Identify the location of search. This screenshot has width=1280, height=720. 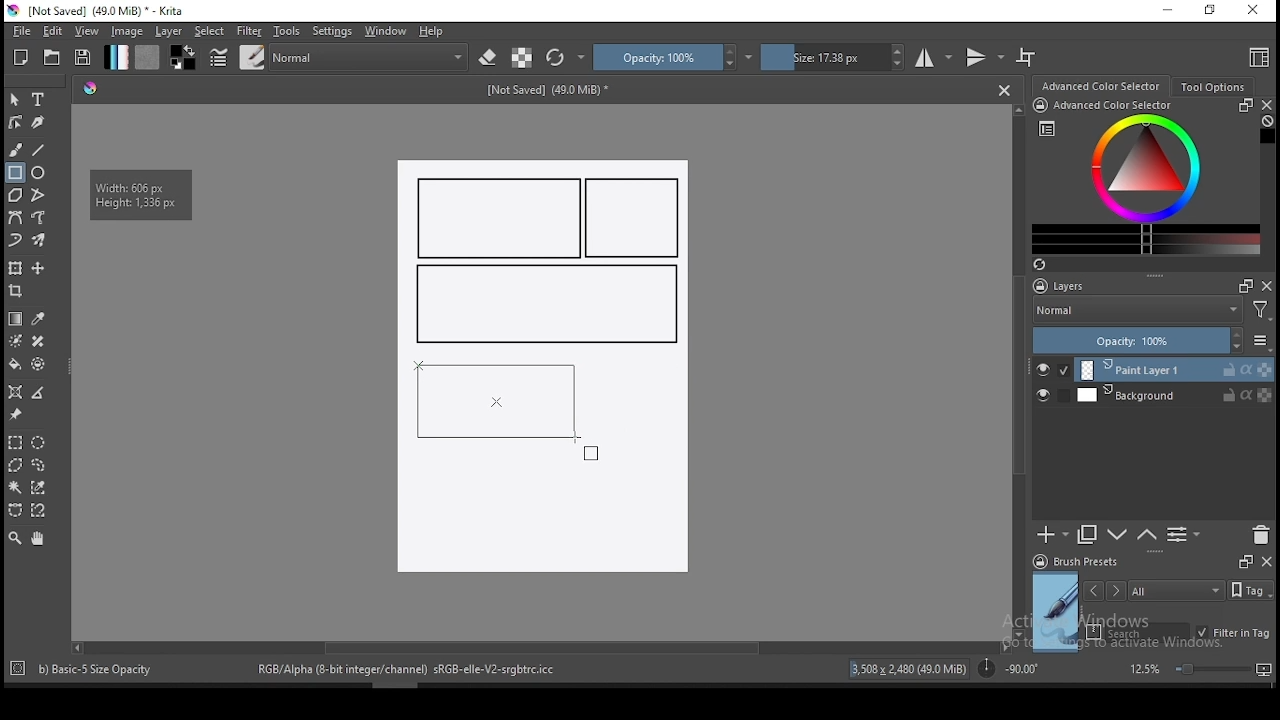
(1138, 632).